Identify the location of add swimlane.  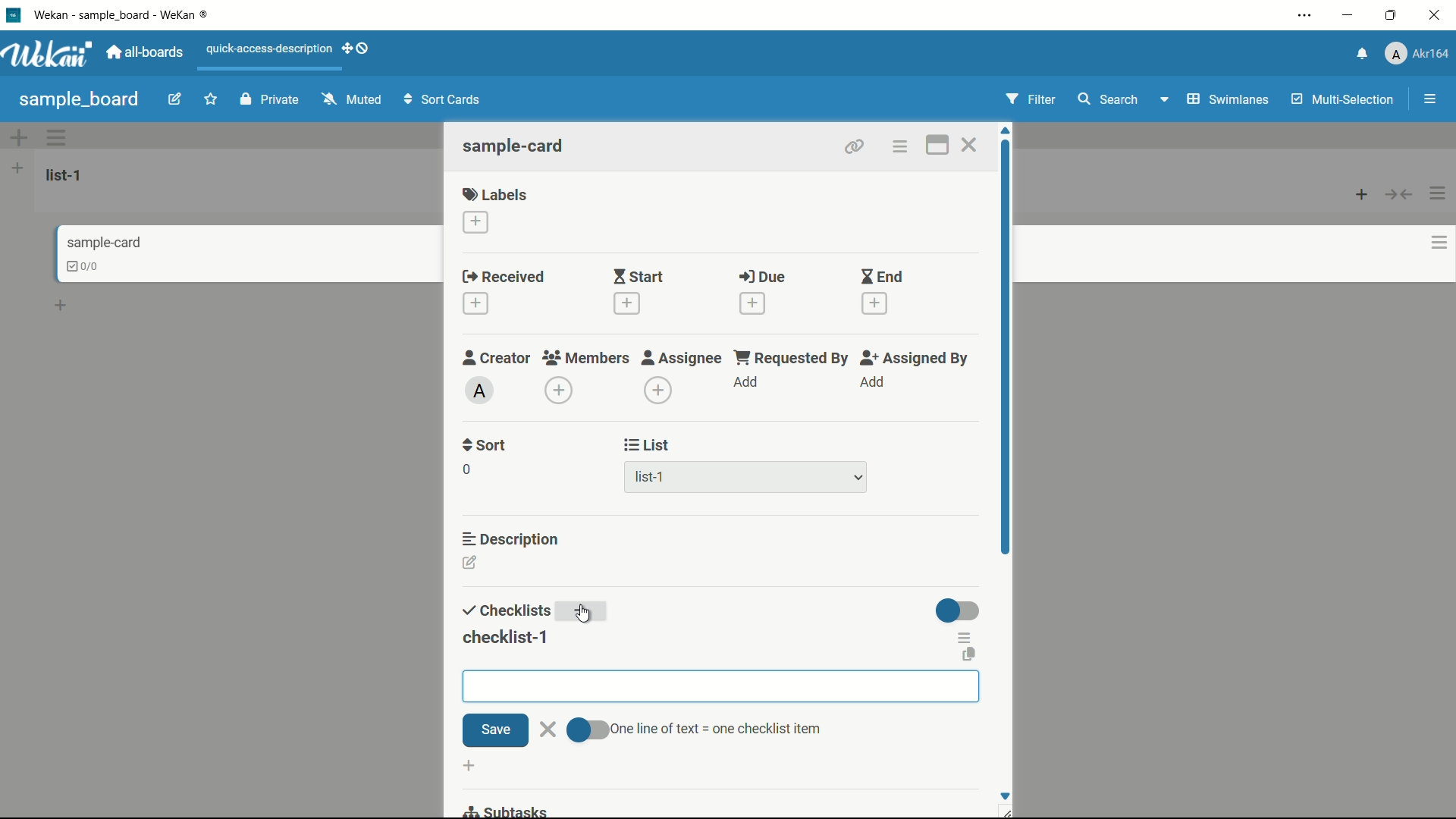
(17, 137).